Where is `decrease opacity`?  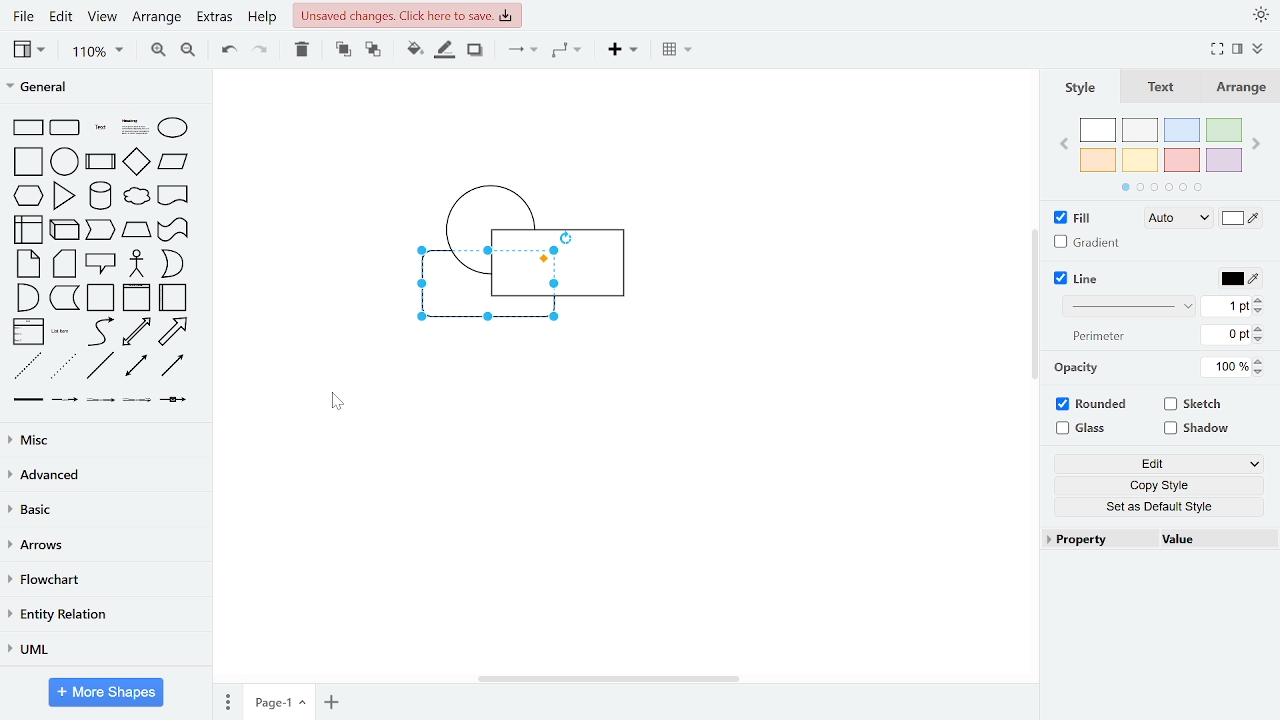
decrease opacity is located at coordinates (1259, 372).